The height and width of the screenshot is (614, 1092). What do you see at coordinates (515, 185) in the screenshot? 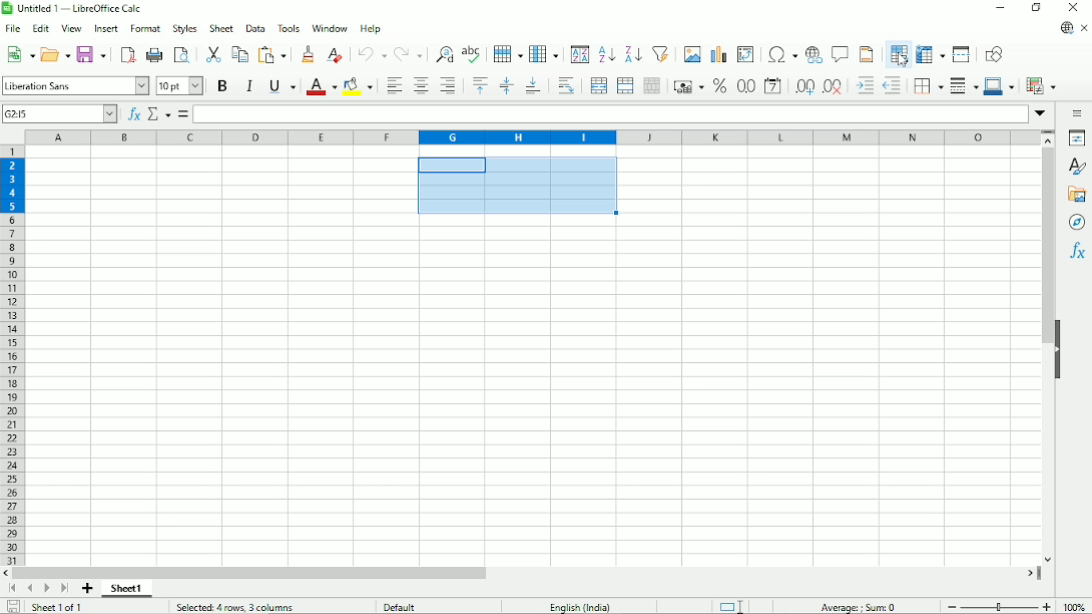
I see `Selected cells` at bounding box center [515, 185].